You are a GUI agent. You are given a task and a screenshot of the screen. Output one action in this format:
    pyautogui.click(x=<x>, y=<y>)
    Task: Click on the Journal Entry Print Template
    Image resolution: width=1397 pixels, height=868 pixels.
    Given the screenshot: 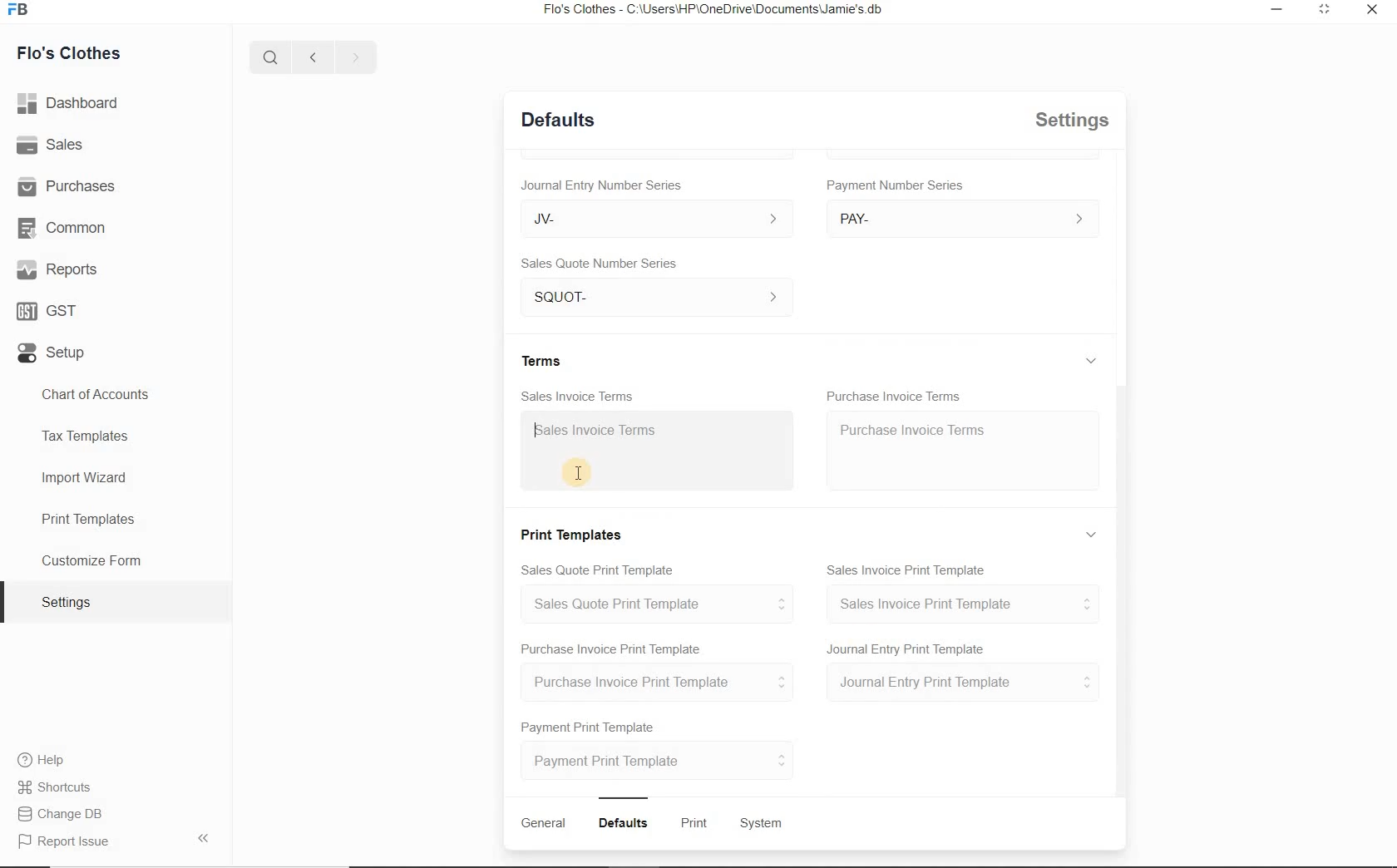 What is the action you would take?
    pyautogui.click(x=960, y=683)
    